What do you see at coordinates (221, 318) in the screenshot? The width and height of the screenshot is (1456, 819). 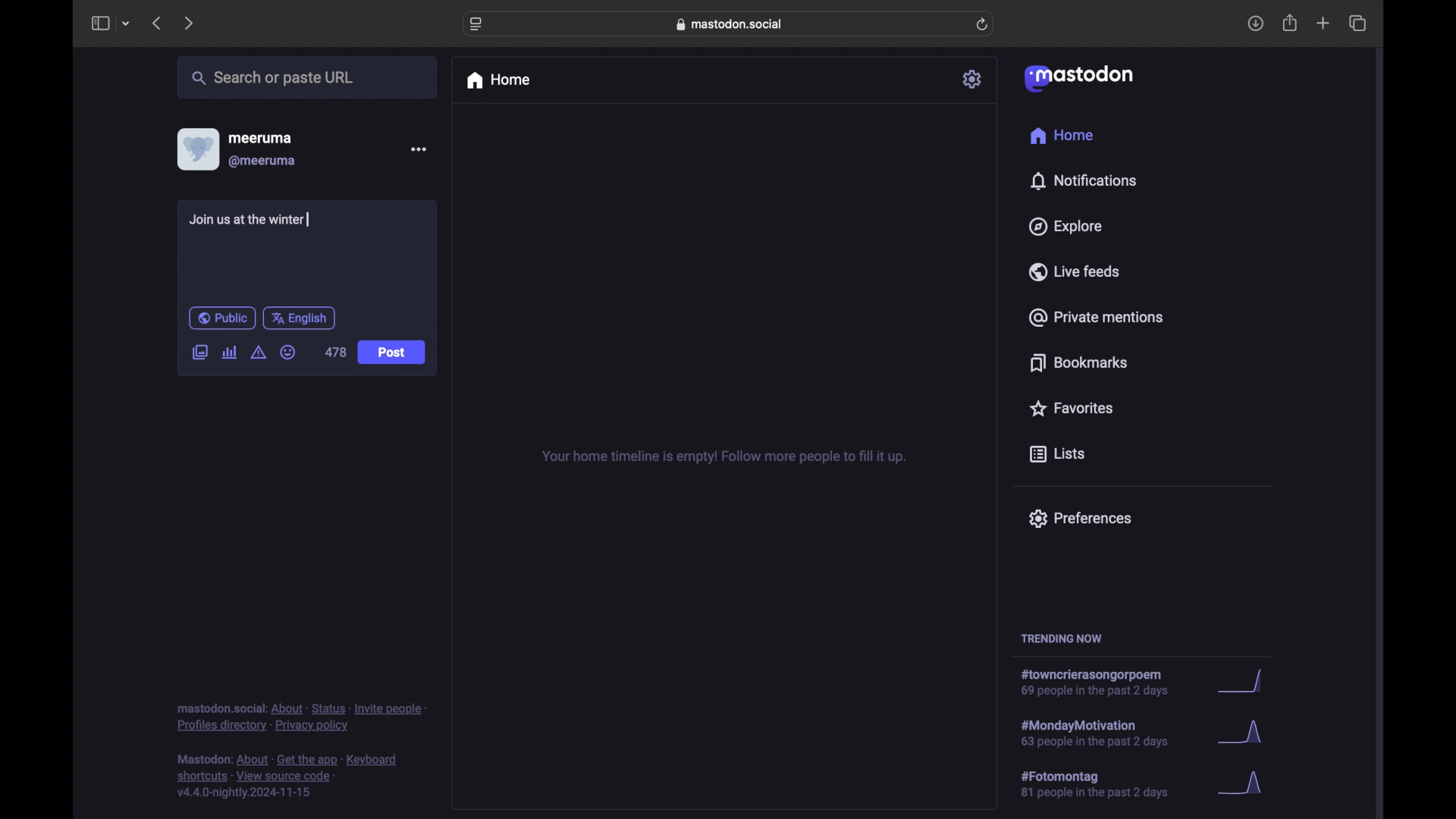 I see `public` at bounding box center [221, 318].